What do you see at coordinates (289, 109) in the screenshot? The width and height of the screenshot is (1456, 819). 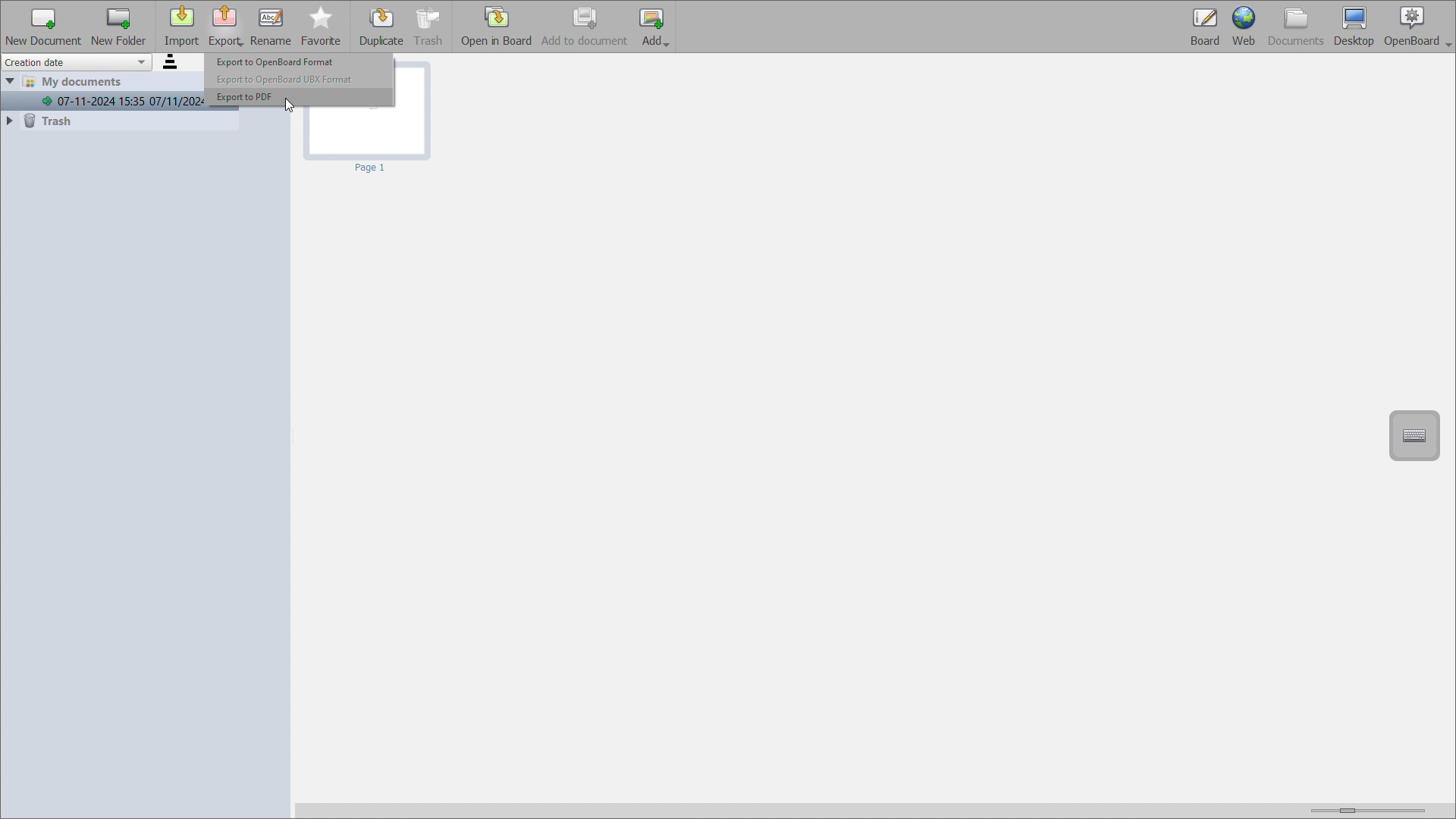 I see `Pointer` at bounding box center [289, 109].